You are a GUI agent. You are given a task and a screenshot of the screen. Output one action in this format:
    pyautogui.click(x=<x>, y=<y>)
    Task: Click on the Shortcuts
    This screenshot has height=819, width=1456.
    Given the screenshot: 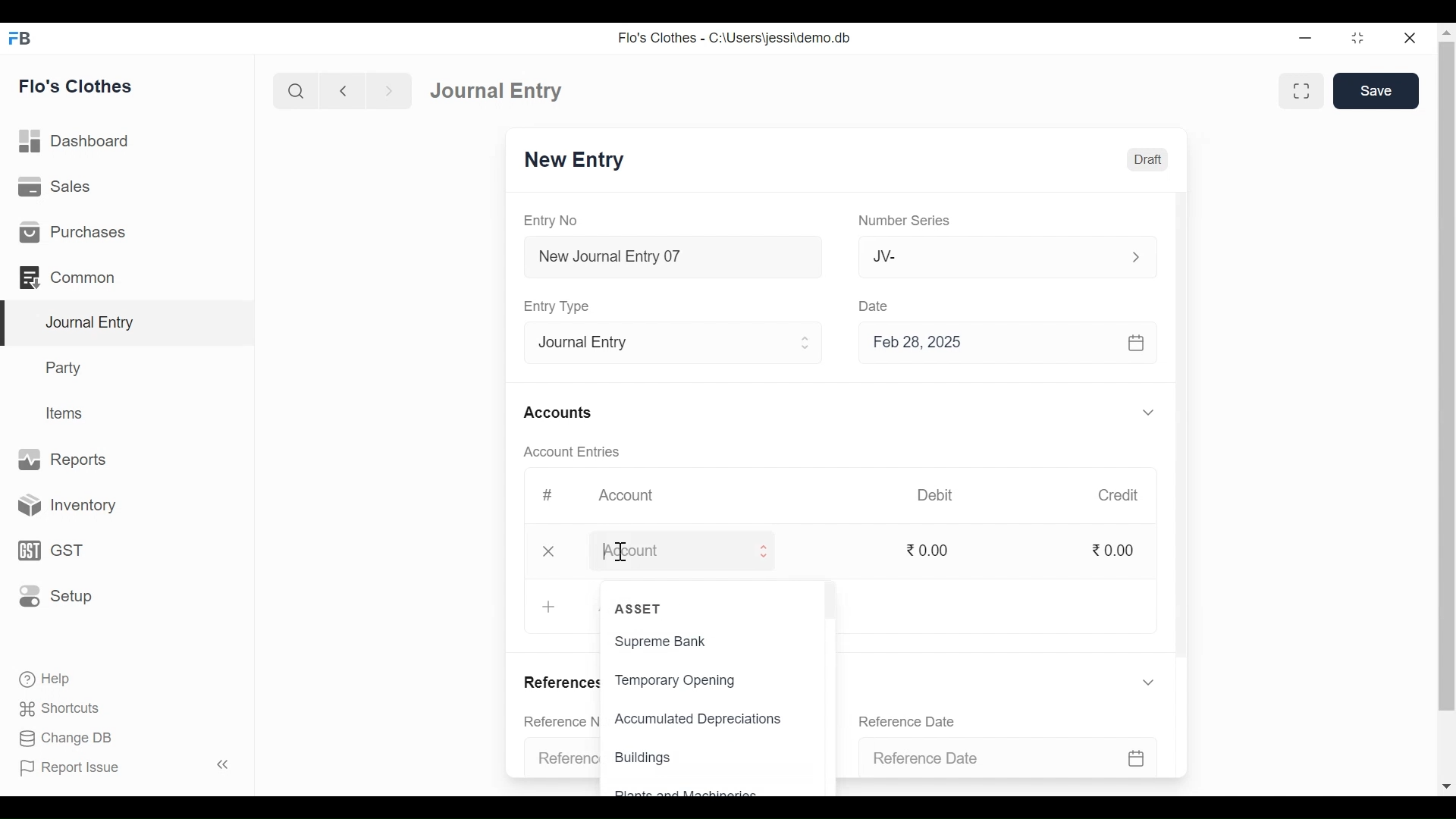 What is the action you would take?
    pyautogui.click(x=68, y=706)
    